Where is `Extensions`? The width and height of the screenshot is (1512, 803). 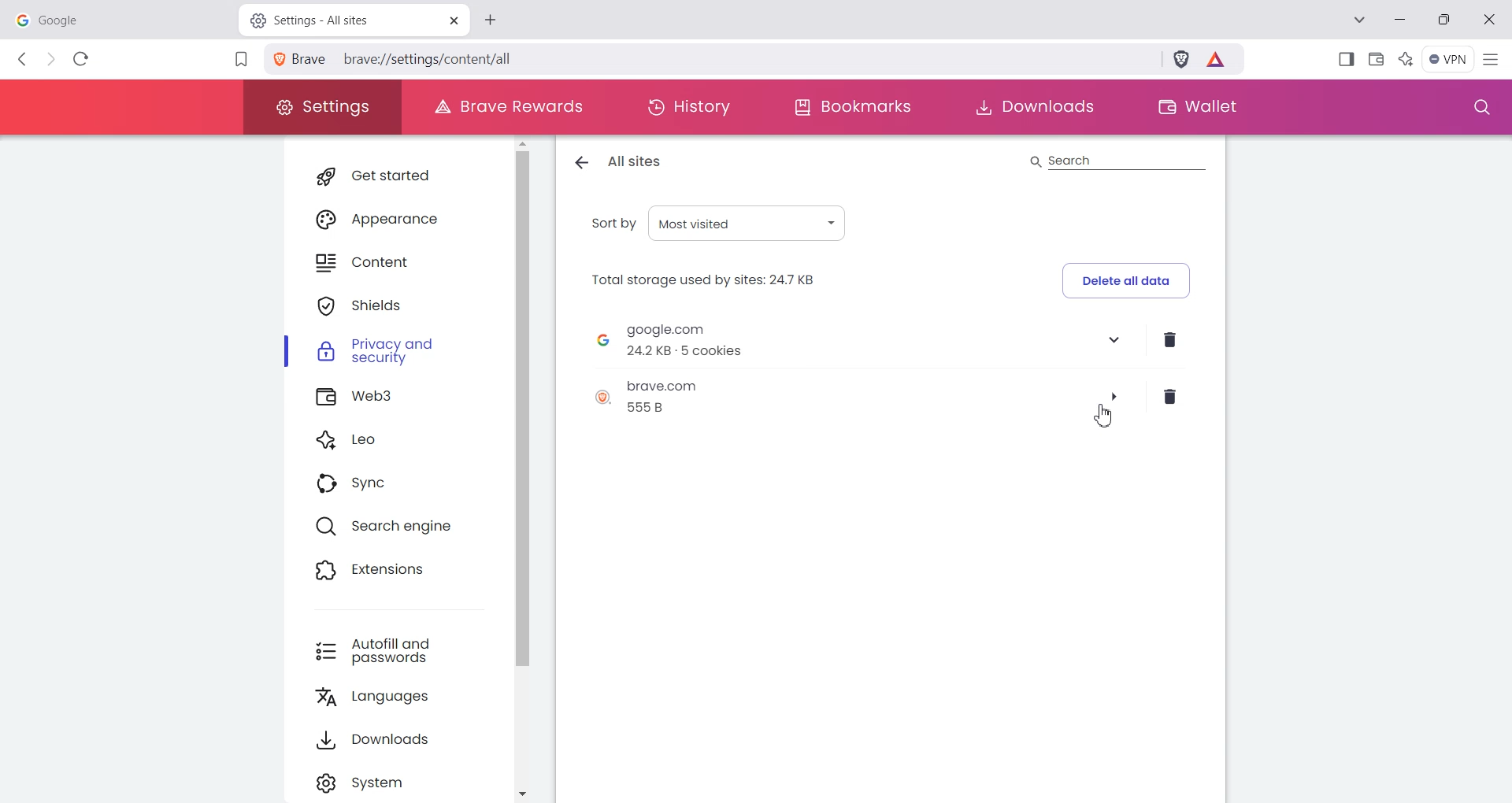
Extensions is located at coordinates (387, 572).